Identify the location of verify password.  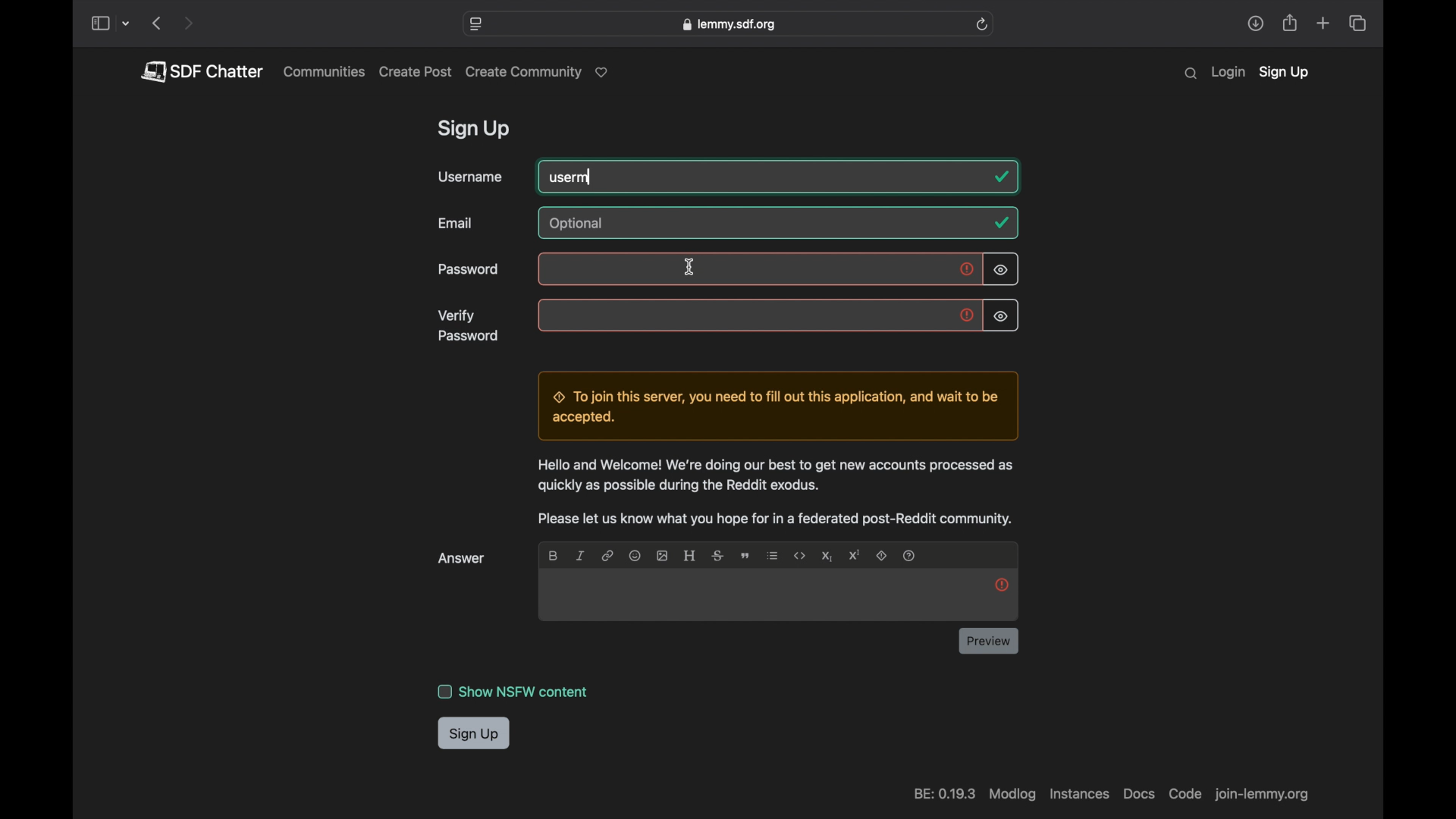
(469, 325).